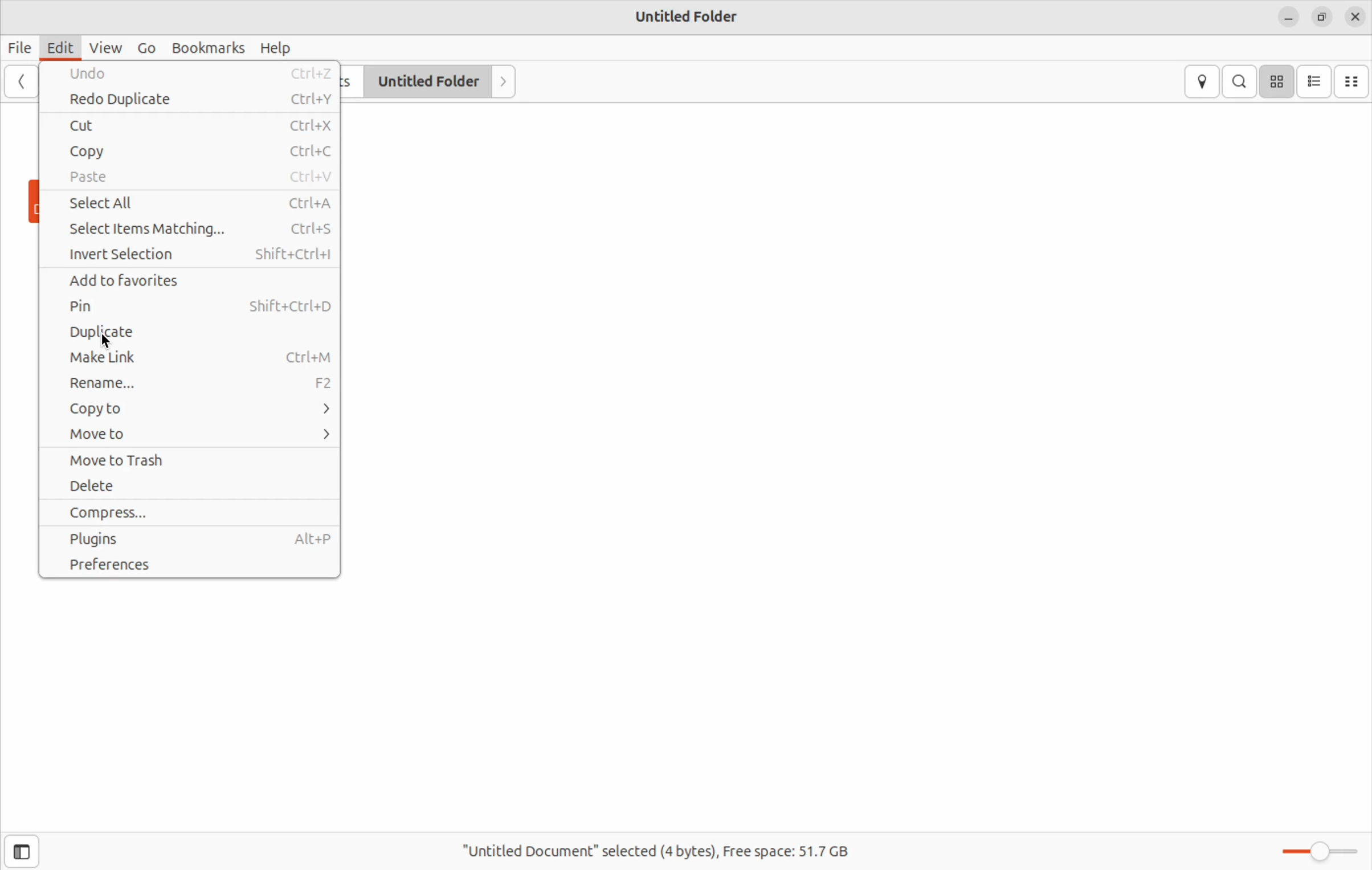 The width and height of the screenshot is (1372, 870). Describe the element at coordinates (106, 46) in the screenshot. I see `View` at that location.